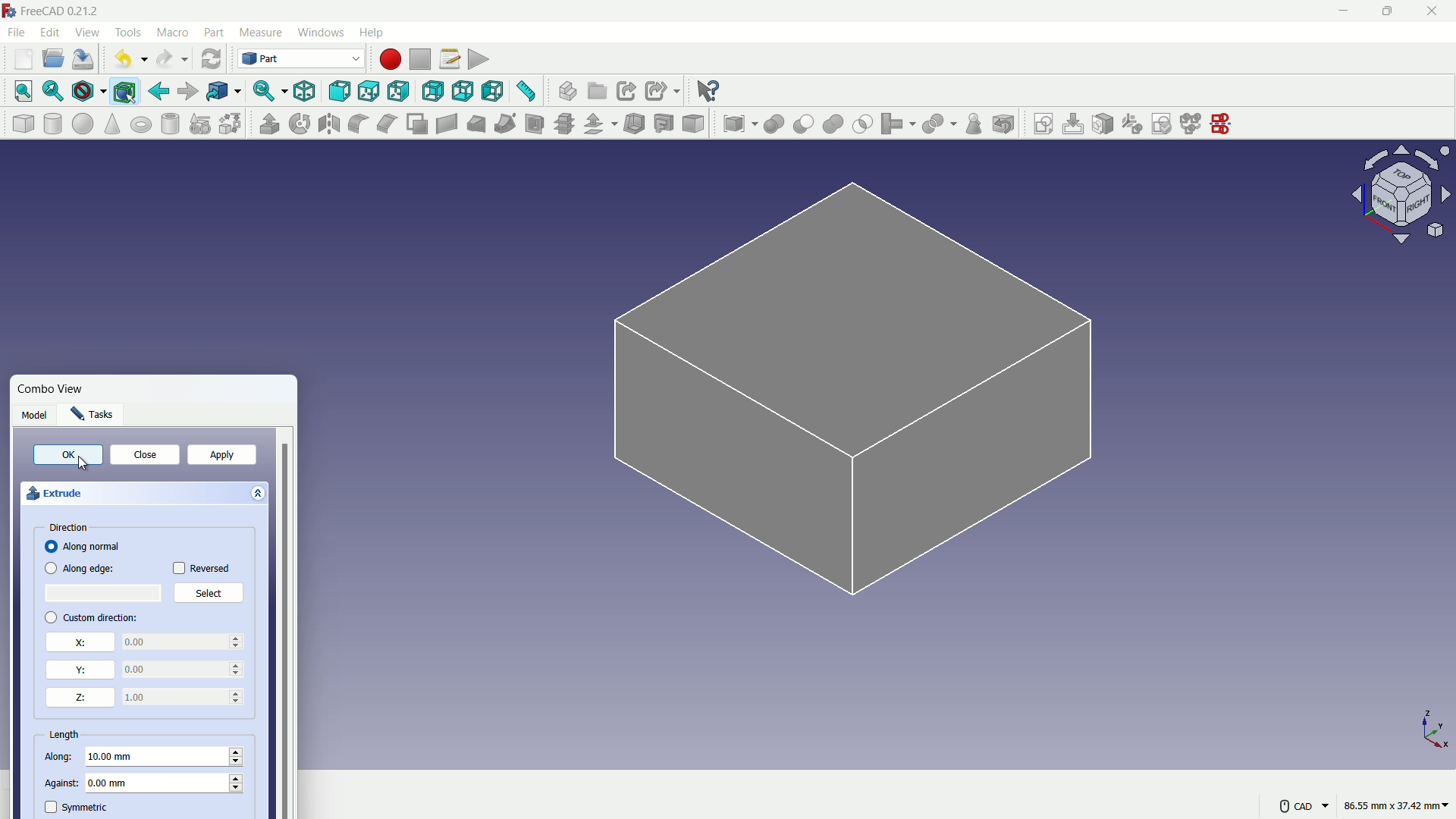 Image resolution: width=1456 pixels, height=819 pixels. What do you see at coordinates (91, 413) in the screenshot?
I see `Tasks` at bounding box center [91, 413].